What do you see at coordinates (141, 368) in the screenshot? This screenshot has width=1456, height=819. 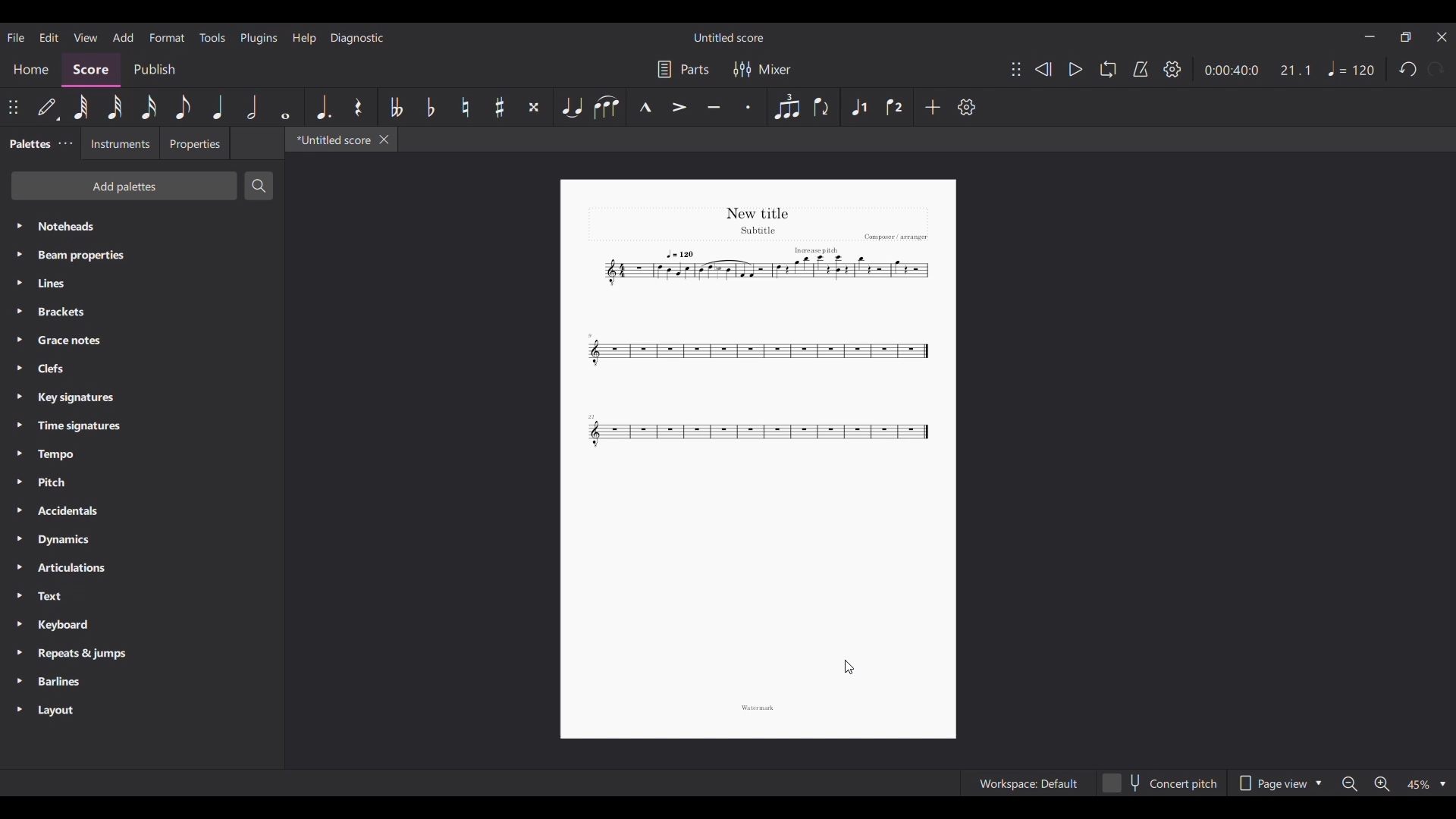 I see `Clefs` at bounding box center [141, 368].